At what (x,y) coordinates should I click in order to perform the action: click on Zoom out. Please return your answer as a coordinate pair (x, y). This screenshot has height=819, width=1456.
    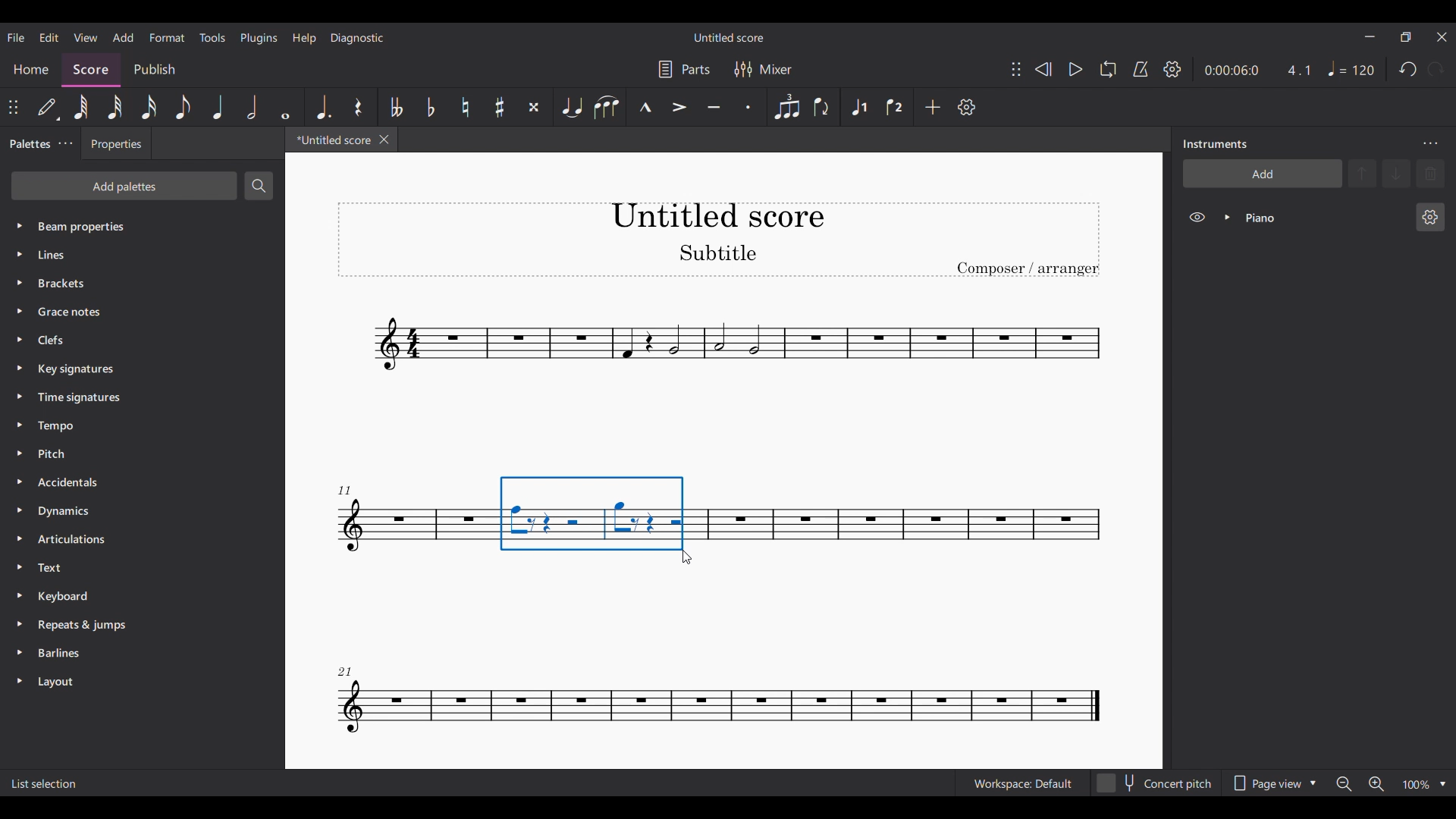
    Looking at the image, I should click on (1345, 784).